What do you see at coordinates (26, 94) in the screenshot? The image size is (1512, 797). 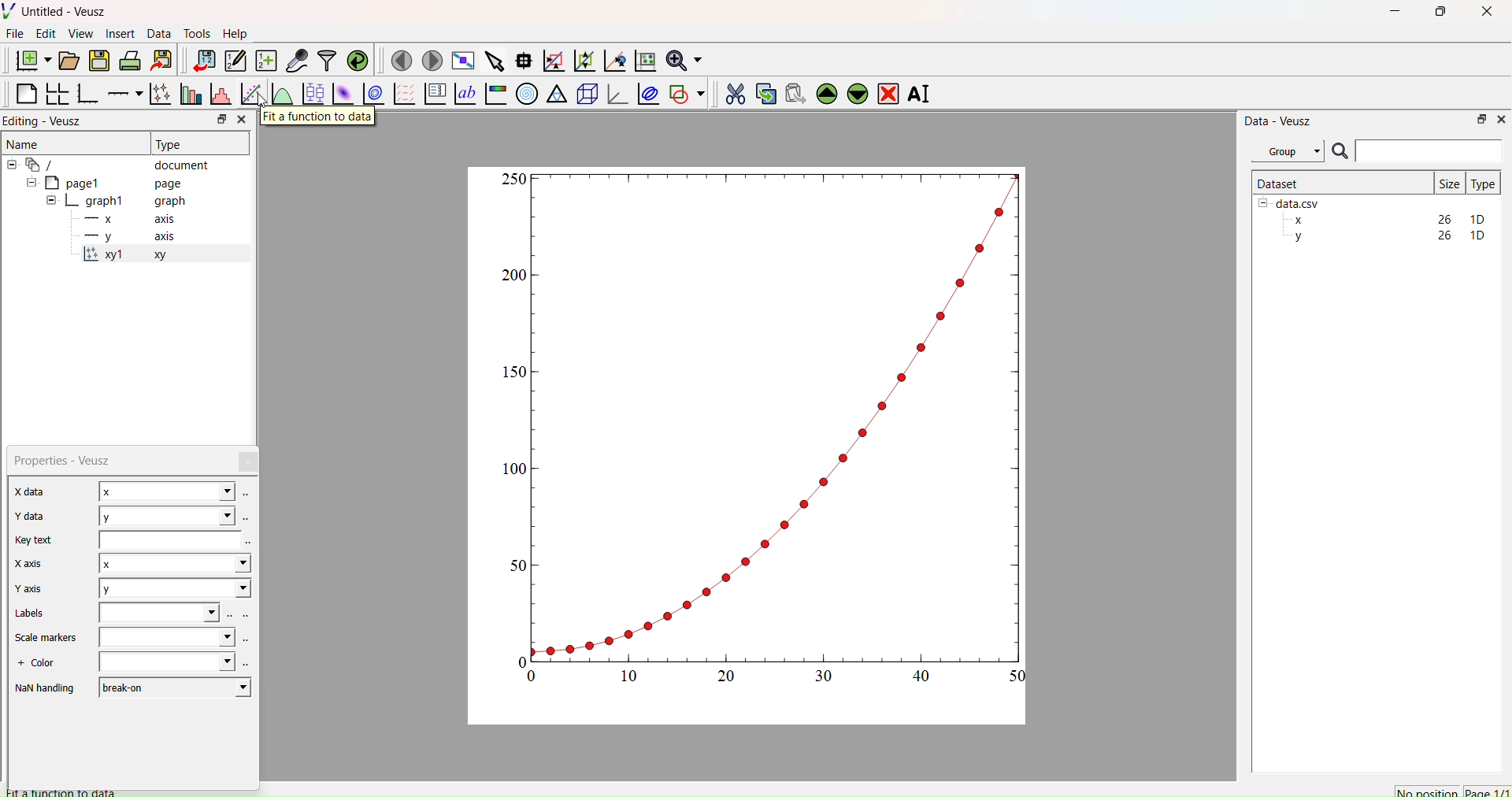 I see `Blank Page` at bounding box center [26, 94].